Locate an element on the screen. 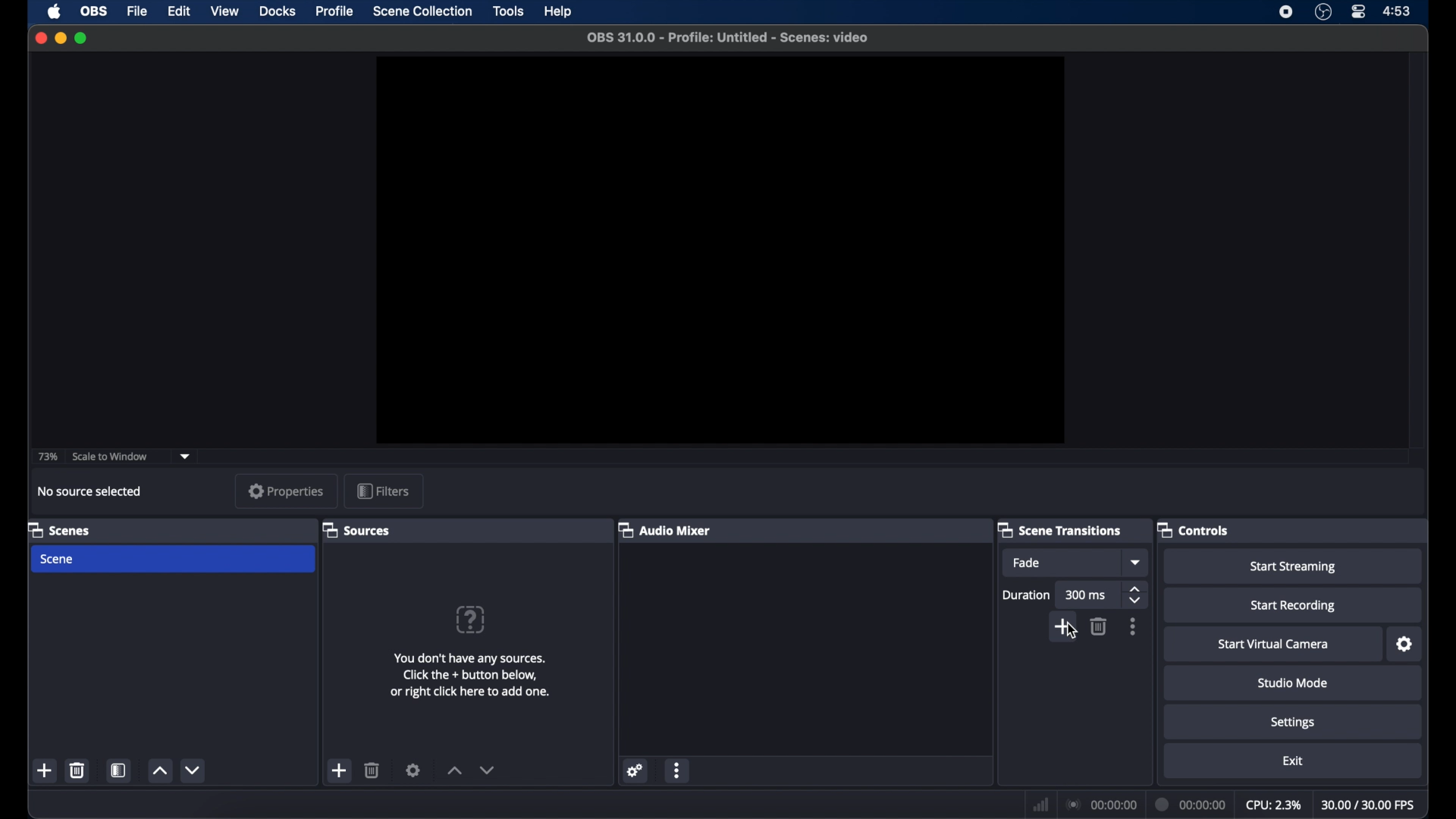 The image size is (1456, 819). docks is located at coordinates (278, 11).